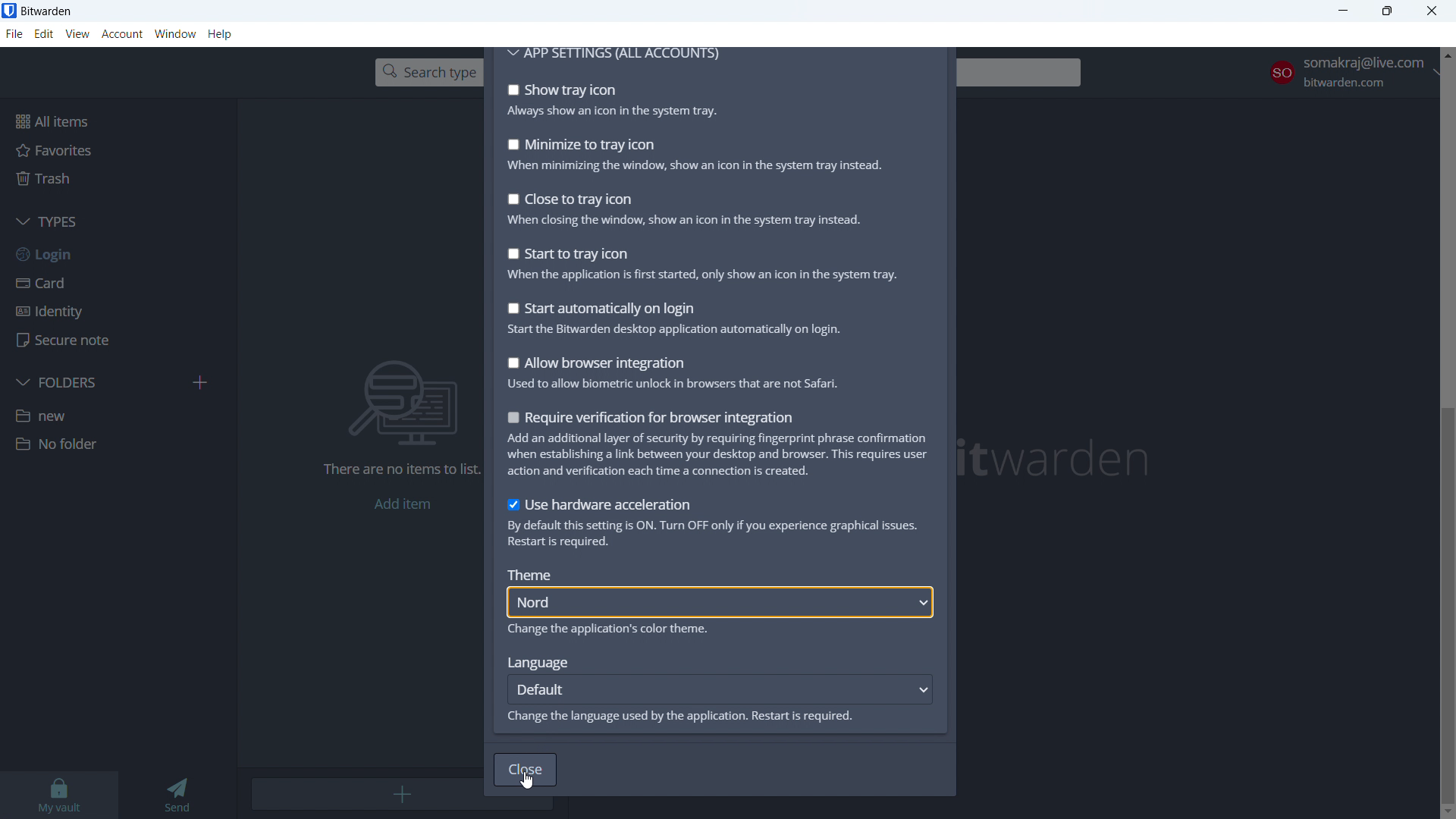  Describe the element at coordinates (366, 792) in the screenshot. I see `add item` at that location.